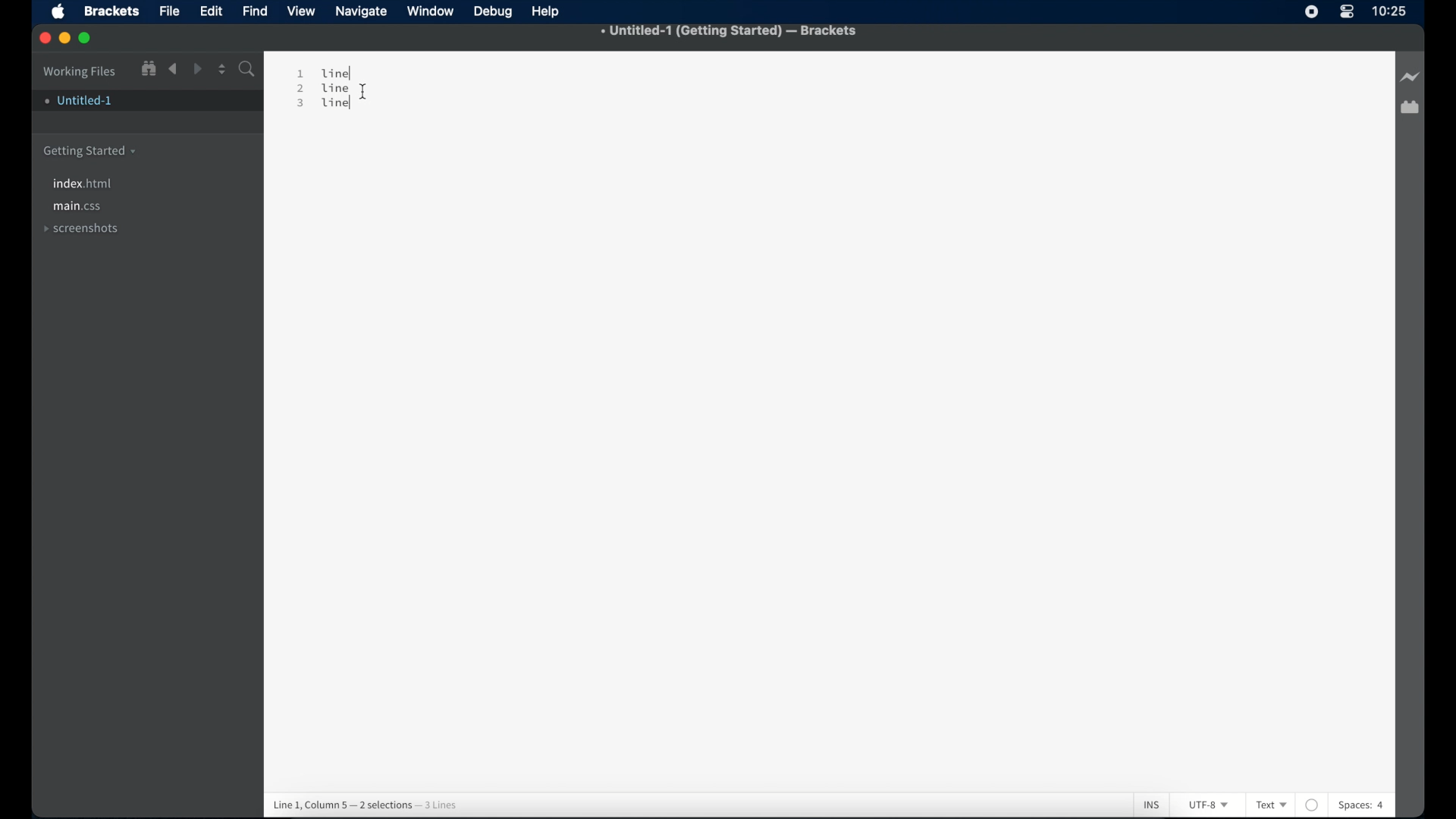 This screenshot has width=1456, height=819. I want to click on control center, so click(1348, 12).